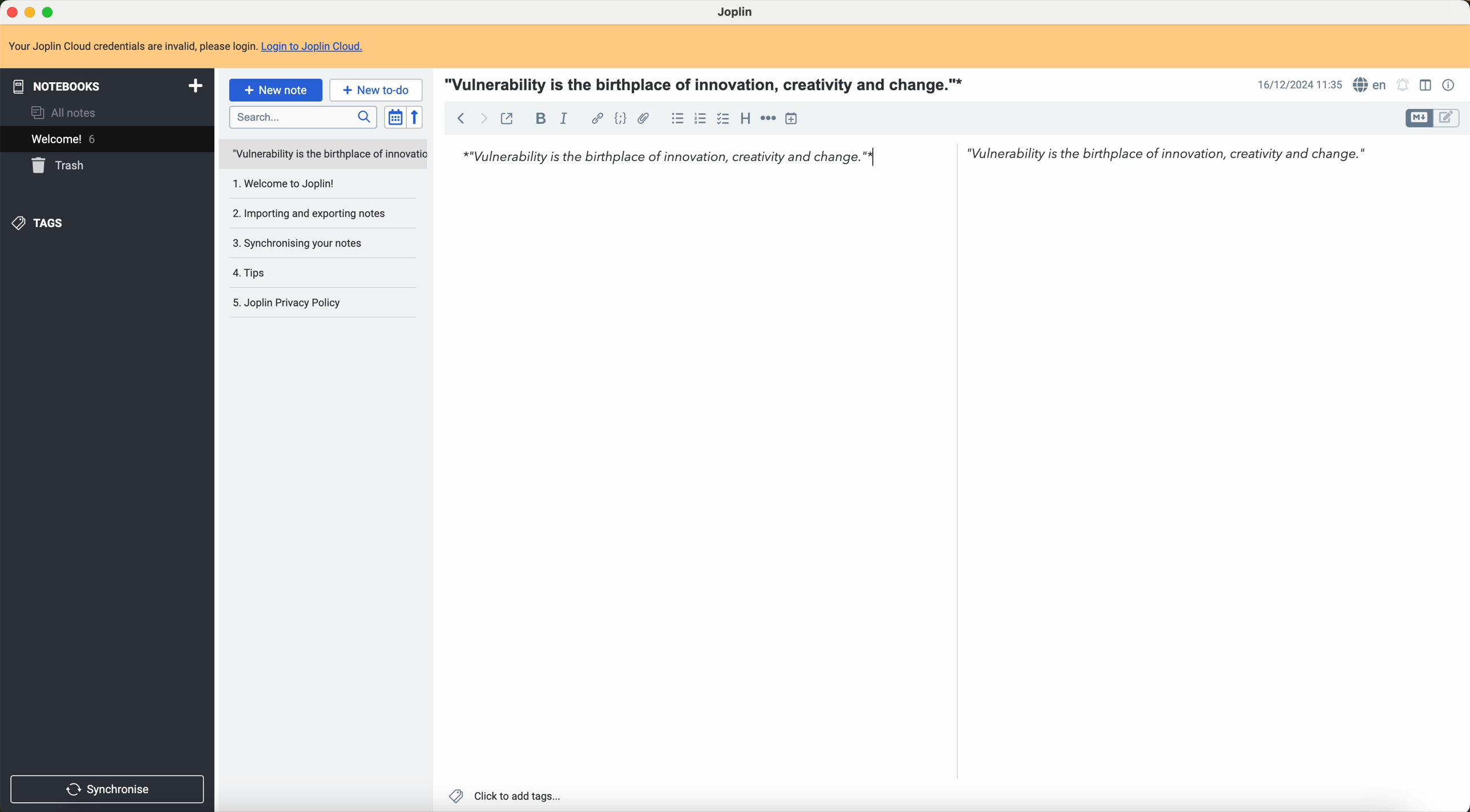 This screenshot has width=1470, height=812. What do you see at coordinates (743, 119) in the screenshot?
I see `heading` at bounding box center [743, 119].